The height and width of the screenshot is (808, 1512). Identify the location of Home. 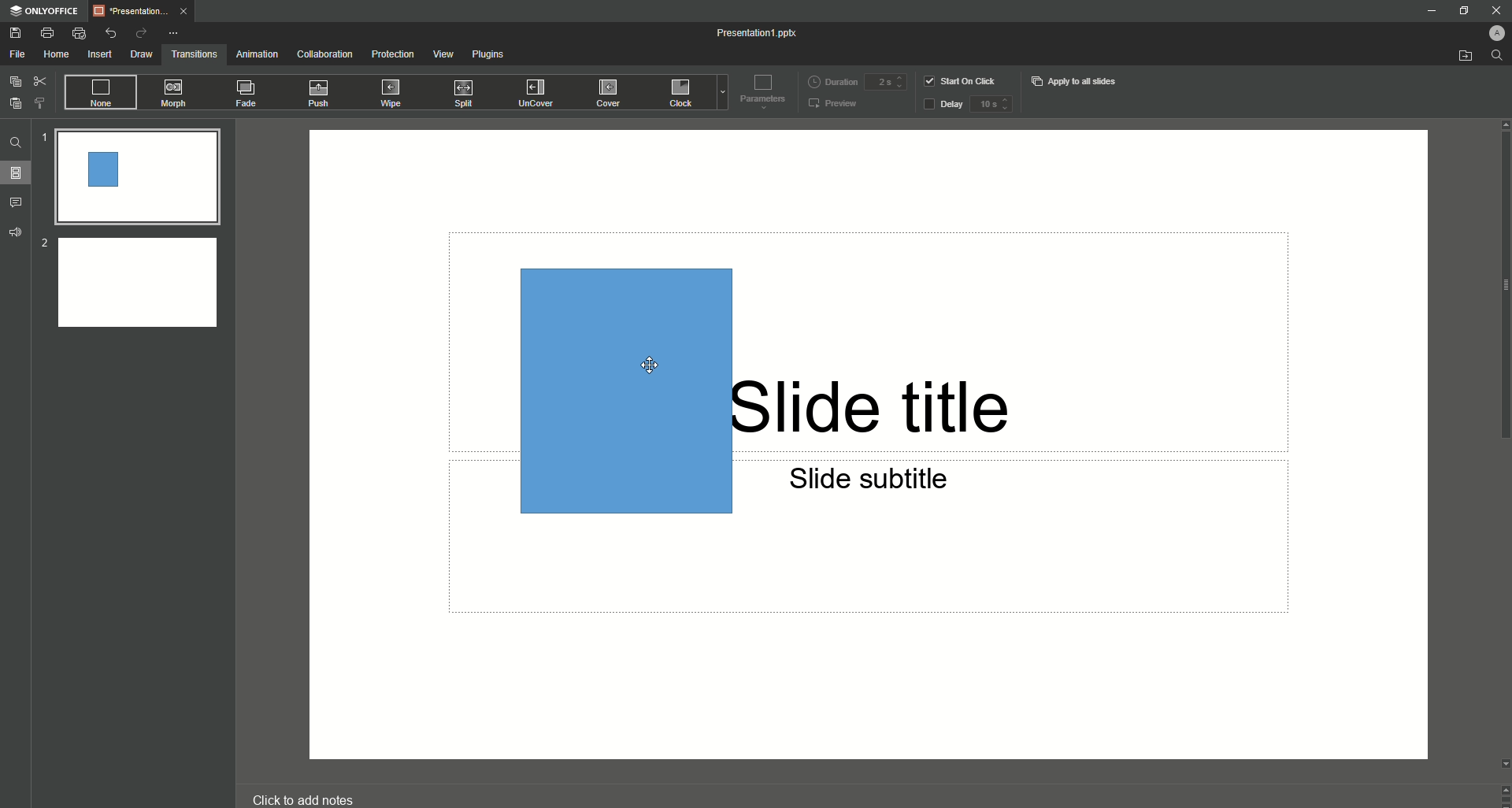
(54, 54).